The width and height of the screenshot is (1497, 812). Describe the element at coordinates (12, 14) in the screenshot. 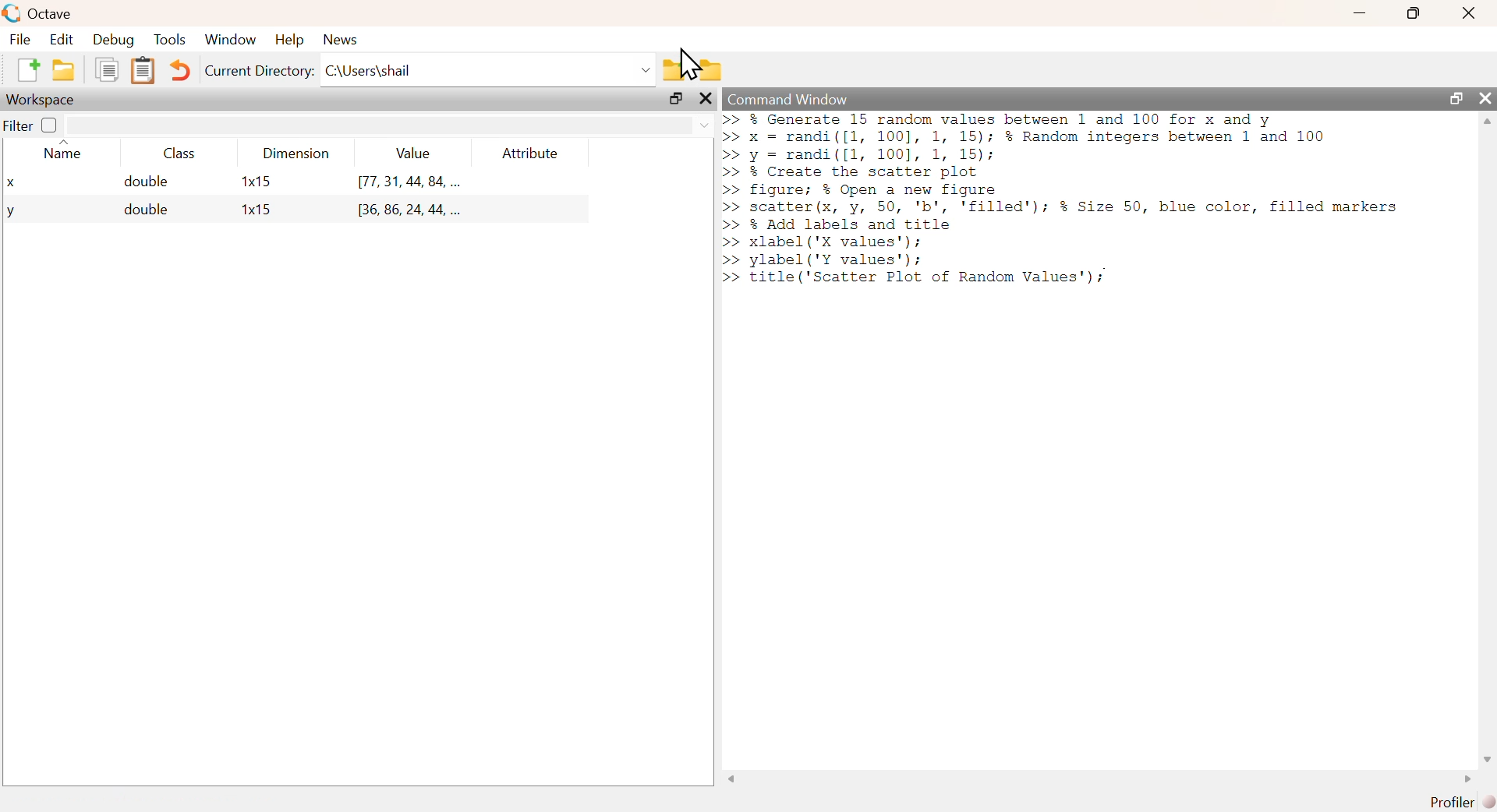

I see `Logo` at that location.